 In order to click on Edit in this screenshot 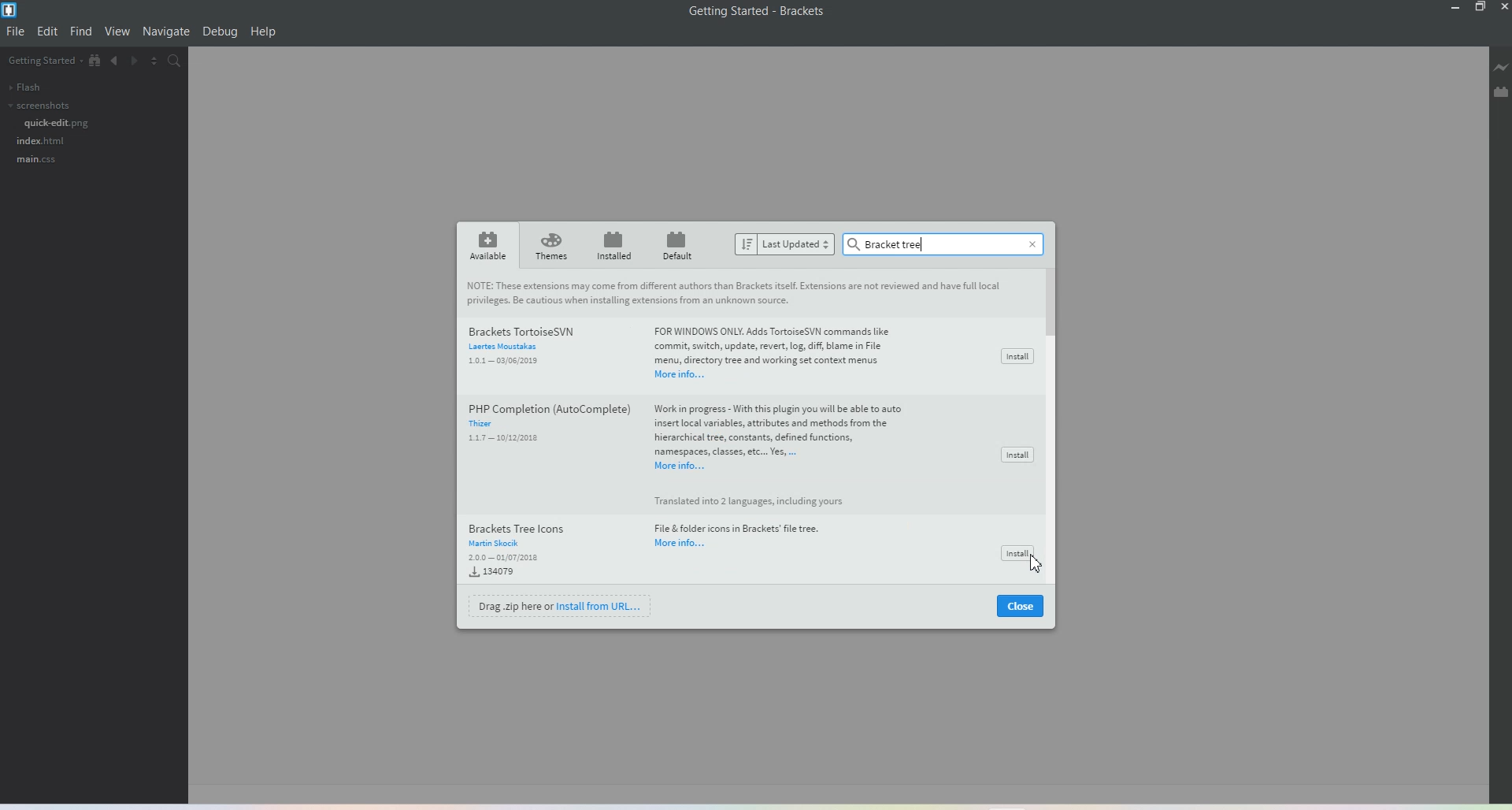, I will do `click(48, 32)`.